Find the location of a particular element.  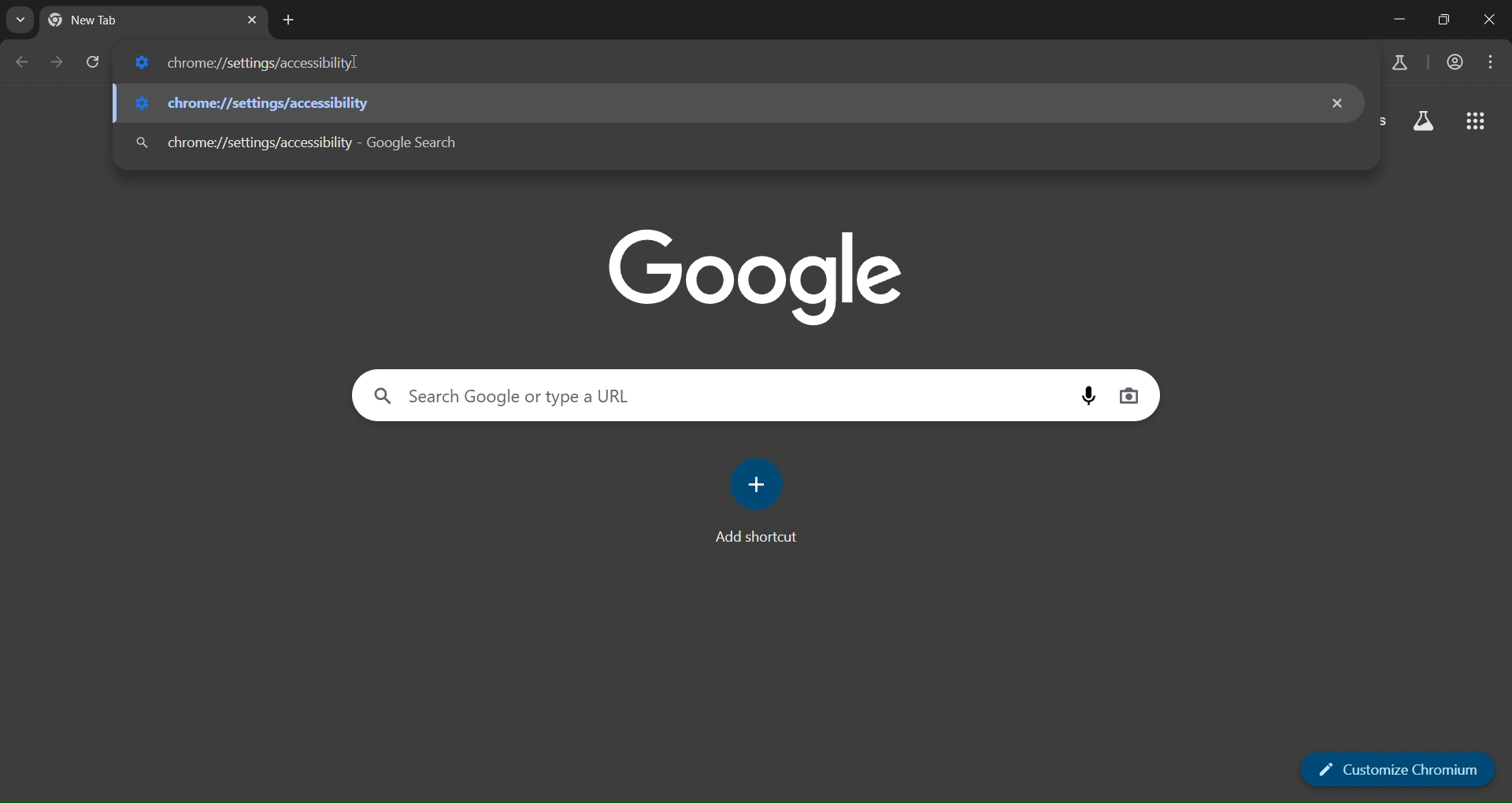

voice search is located at coordinates (1087, 397).